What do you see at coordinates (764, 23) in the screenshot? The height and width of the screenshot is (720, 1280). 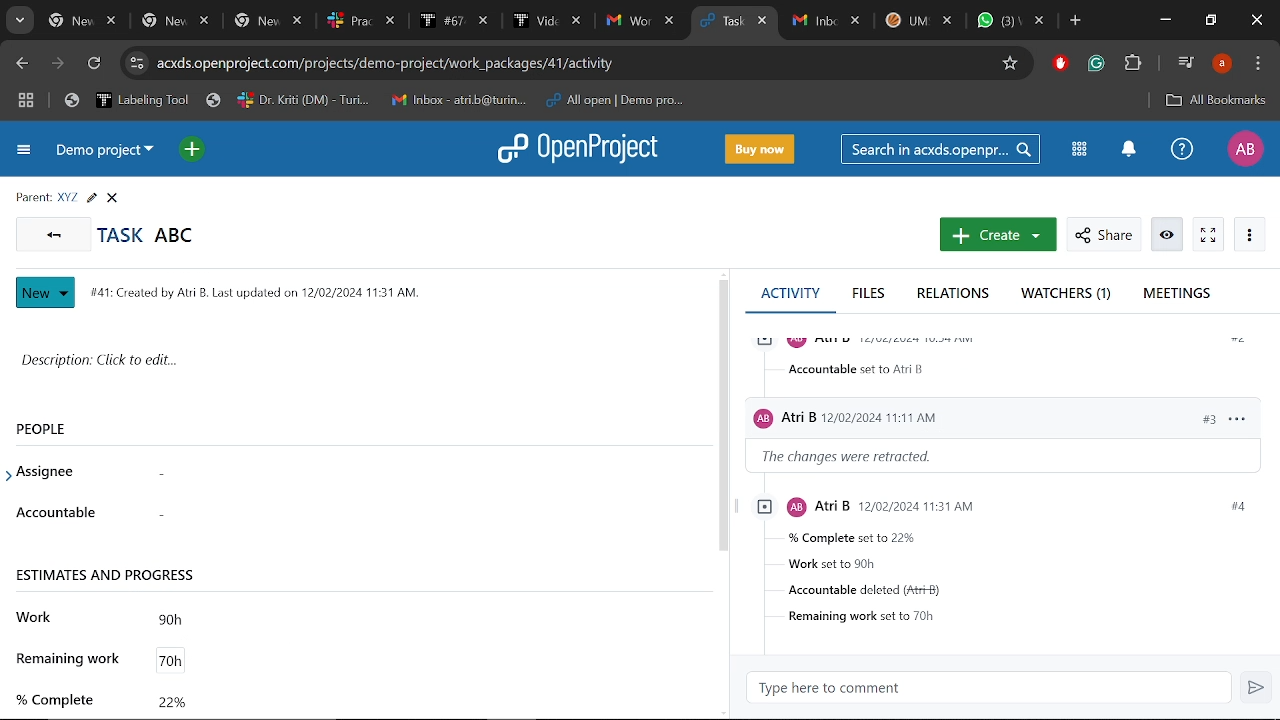 I see `Close current tab` at bounding box center [764, 23].